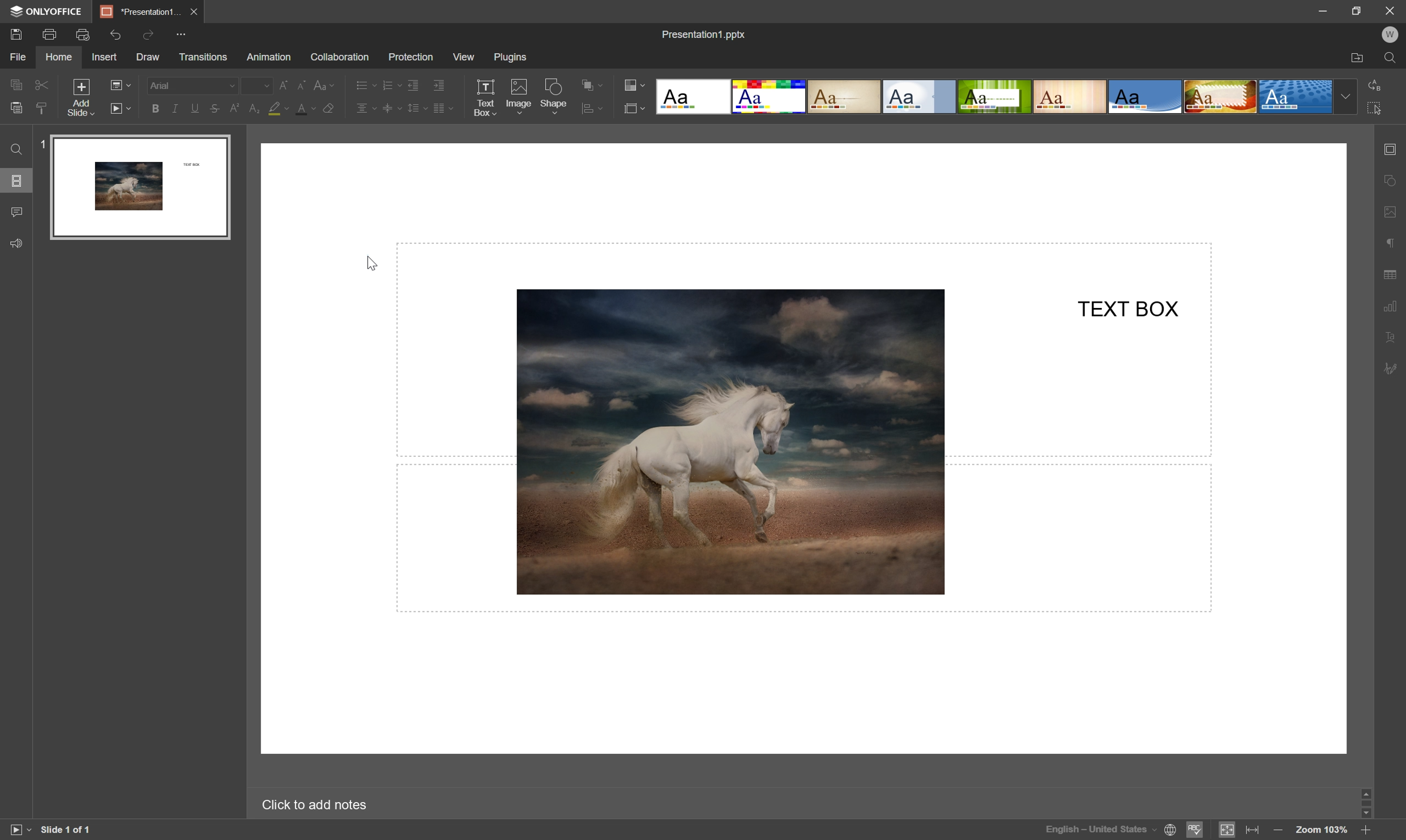  What do you see at coordinates (995, 97) in the screenshot?
I see `Green Leaf` at bounding box center [995, 97].